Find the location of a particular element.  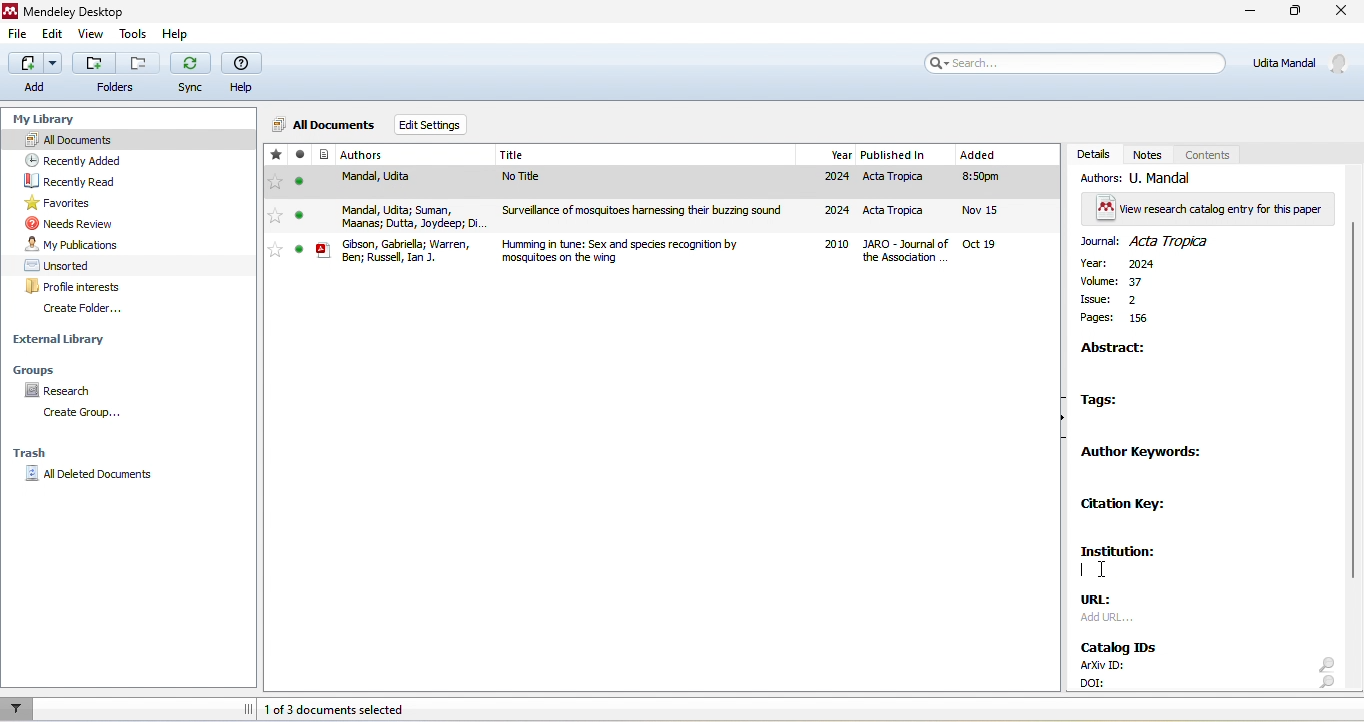

groups is located at coordinates (54, 369).